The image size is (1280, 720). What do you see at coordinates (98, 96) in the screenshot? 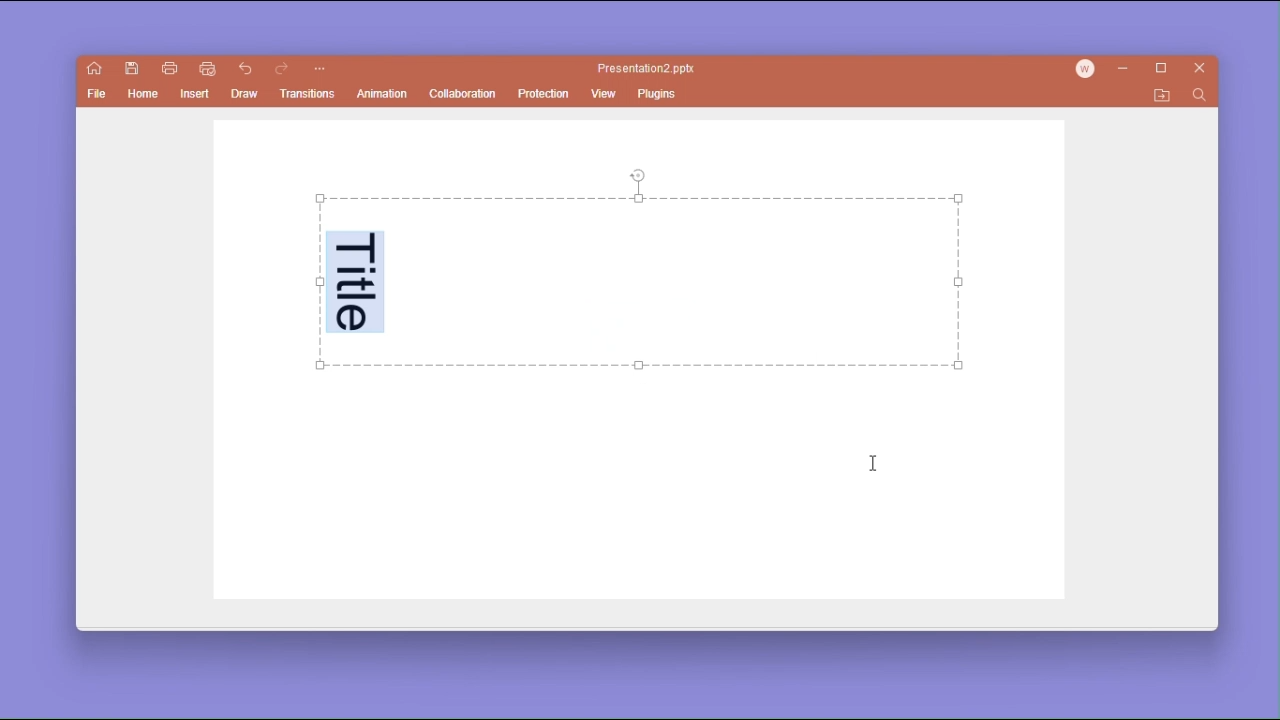
I see `file` at bounding box center [98, 96].